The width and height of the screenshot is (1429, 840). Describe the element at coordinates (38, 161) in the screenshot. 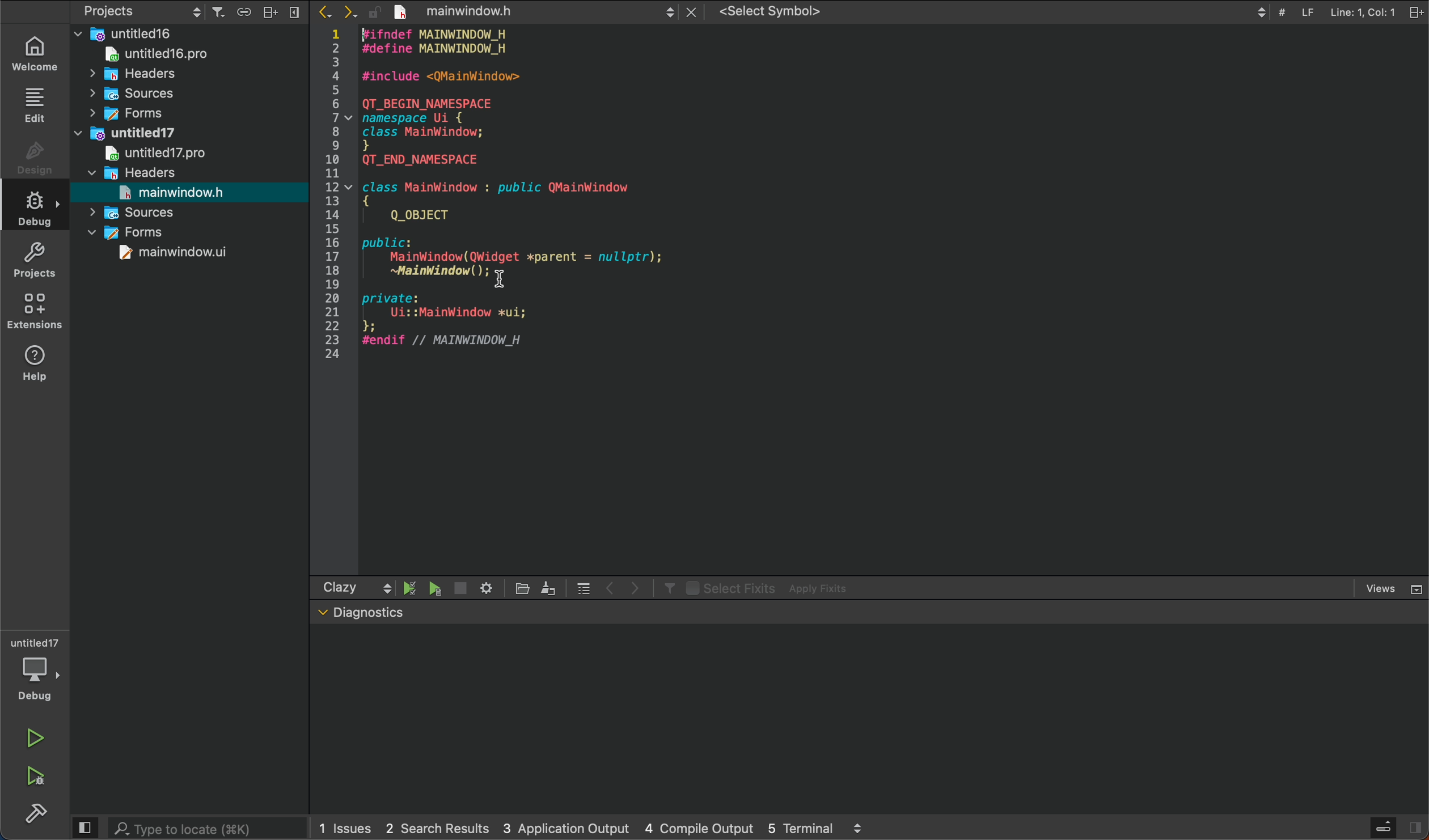

I see `DESIGN` at that location.